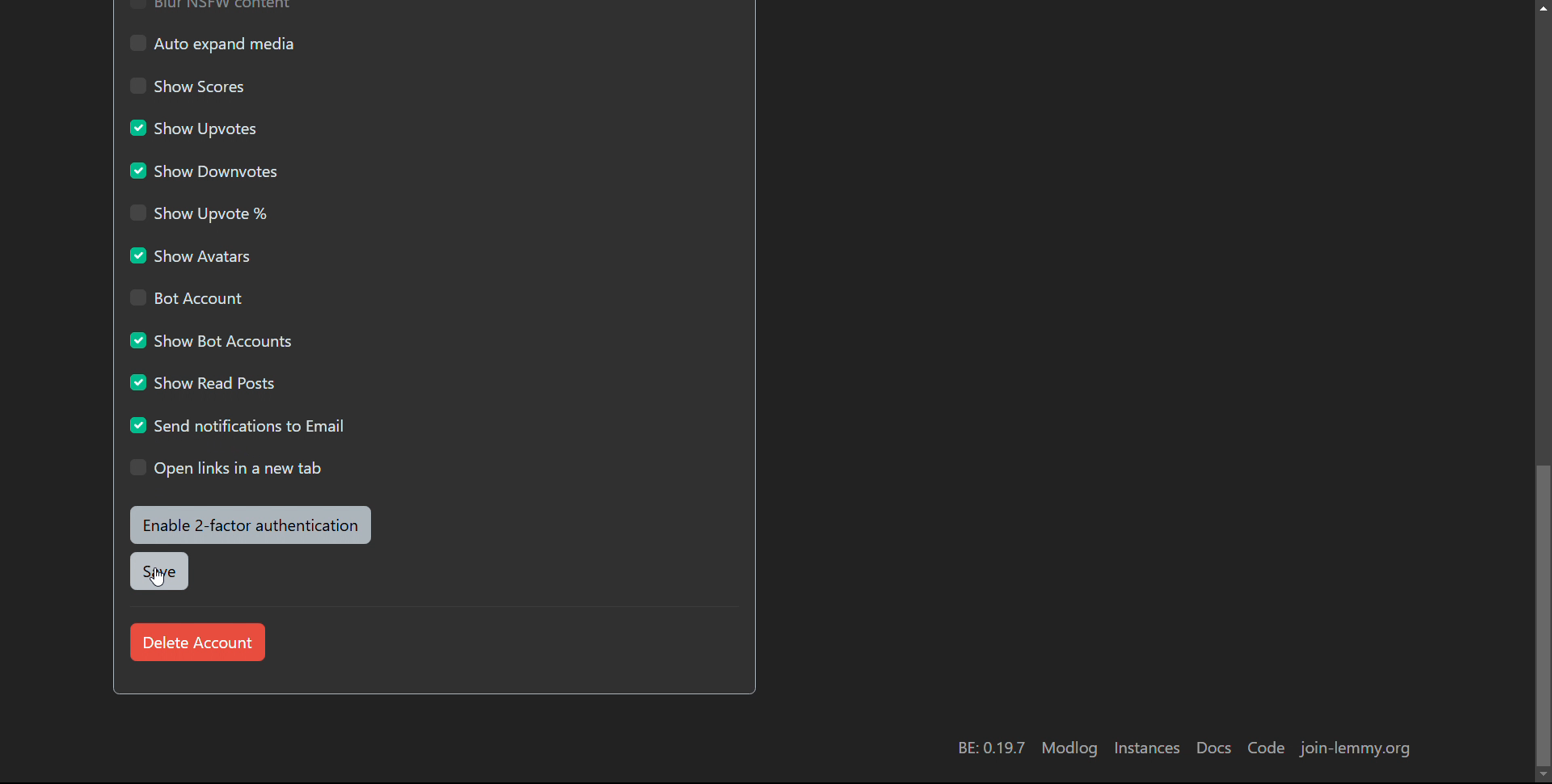 The height and width of the screenshot is (784, 1552). I want to click on modlog, so click(1069, 748).